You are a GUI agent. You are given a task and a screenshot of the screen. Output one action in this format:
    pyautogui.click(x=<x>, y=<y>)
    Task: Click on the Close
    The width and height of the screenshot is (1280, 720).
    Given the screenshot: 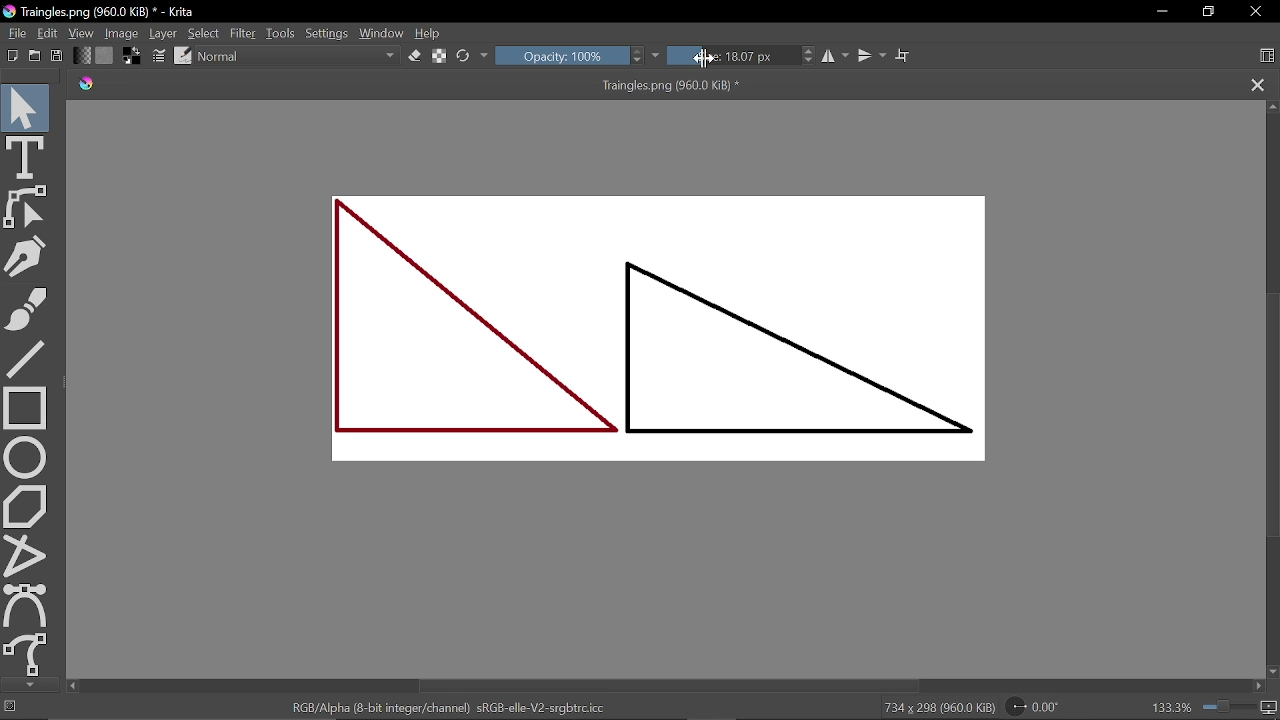 What is the action you would take?
    pyautogui.click(x=1253, y=12)
    